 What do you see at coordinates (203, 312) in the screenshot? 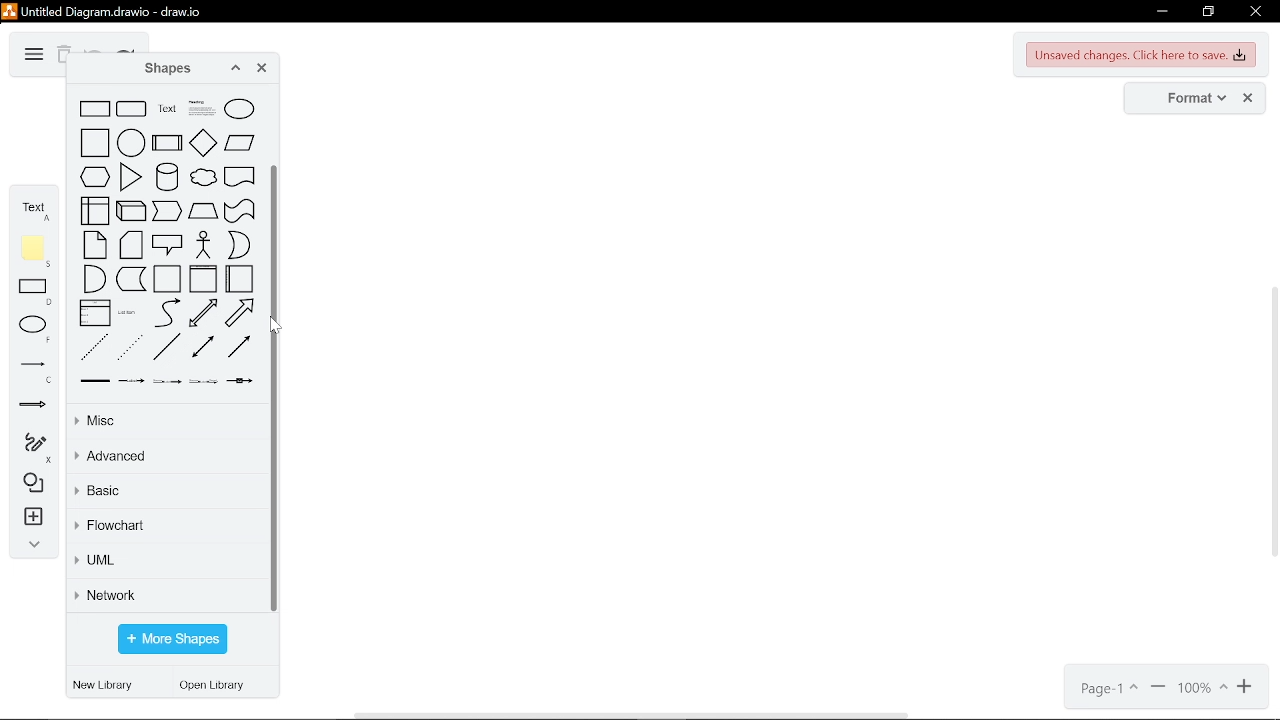
I see `bidirectional arrow` at bounding box center [203, 312].